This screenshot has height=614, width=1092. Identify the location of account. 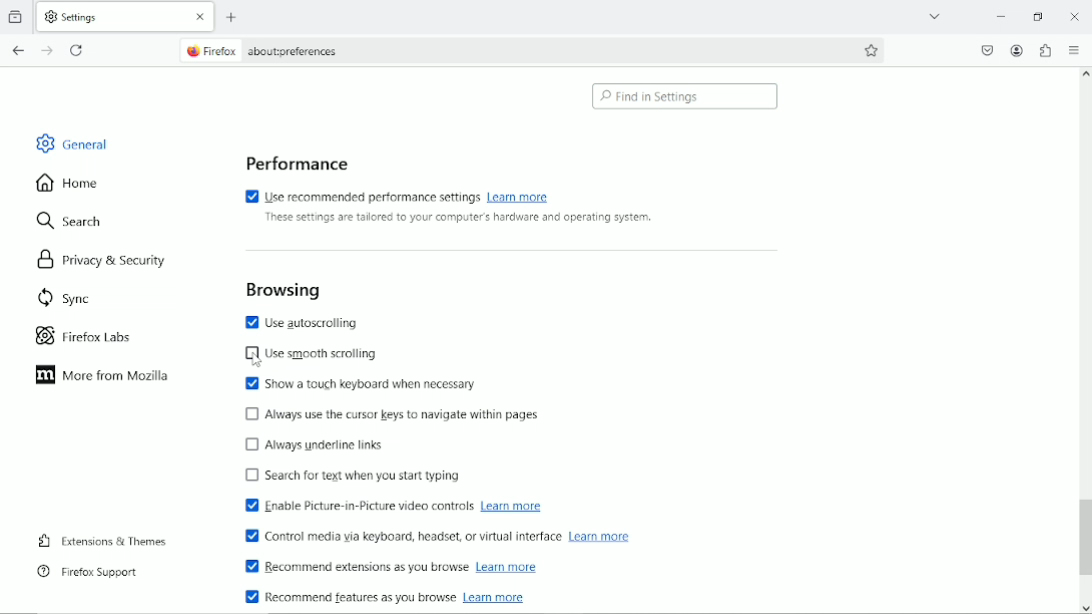
(1018, 51).